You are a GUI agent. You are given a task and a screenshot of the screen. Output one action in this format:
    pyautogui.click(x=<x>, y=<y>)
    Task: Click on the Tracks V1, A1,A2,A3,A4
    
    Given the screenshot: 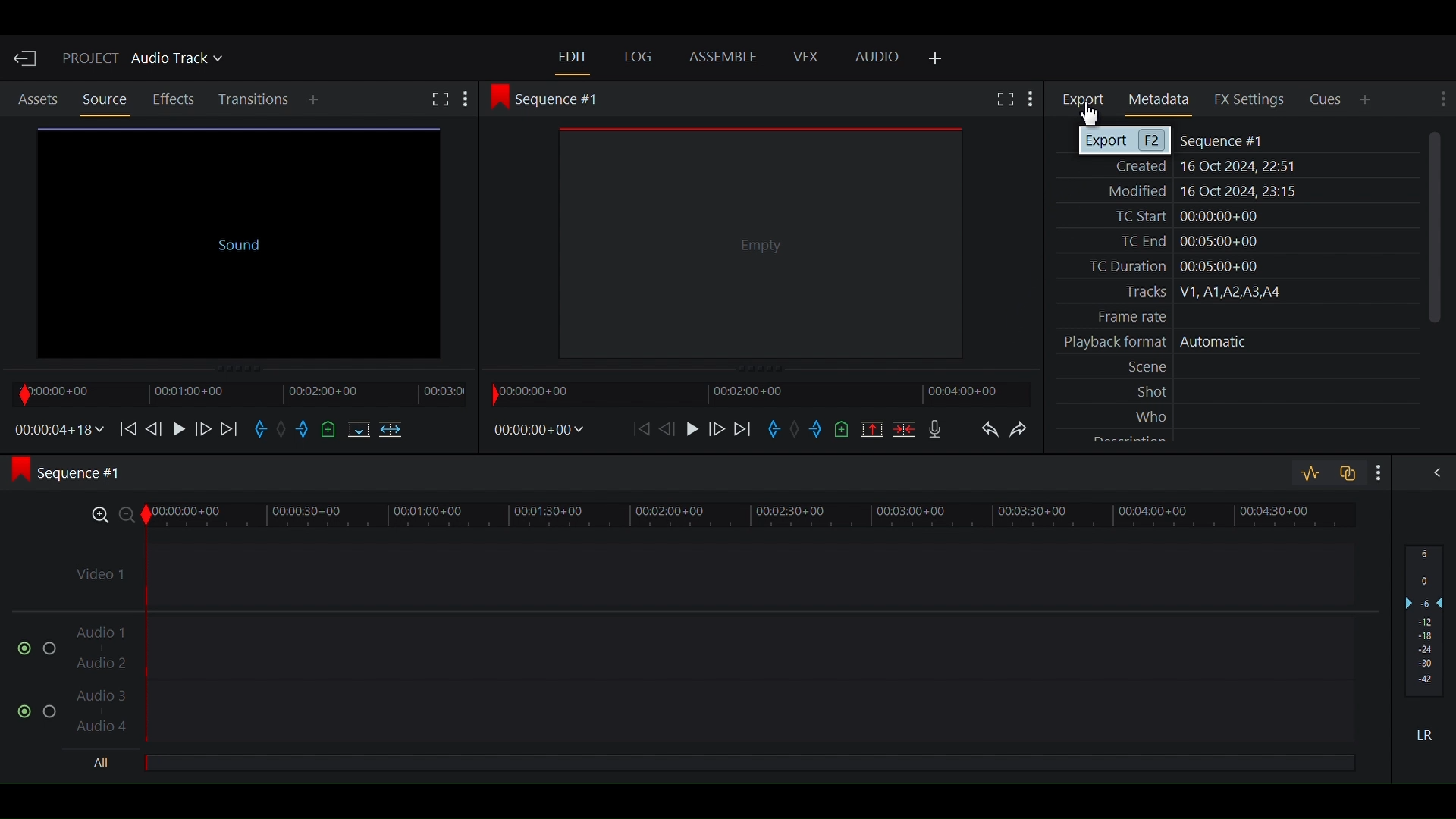 What is the action you would take?
    pyautogui.click(x=1197, y=293)
    